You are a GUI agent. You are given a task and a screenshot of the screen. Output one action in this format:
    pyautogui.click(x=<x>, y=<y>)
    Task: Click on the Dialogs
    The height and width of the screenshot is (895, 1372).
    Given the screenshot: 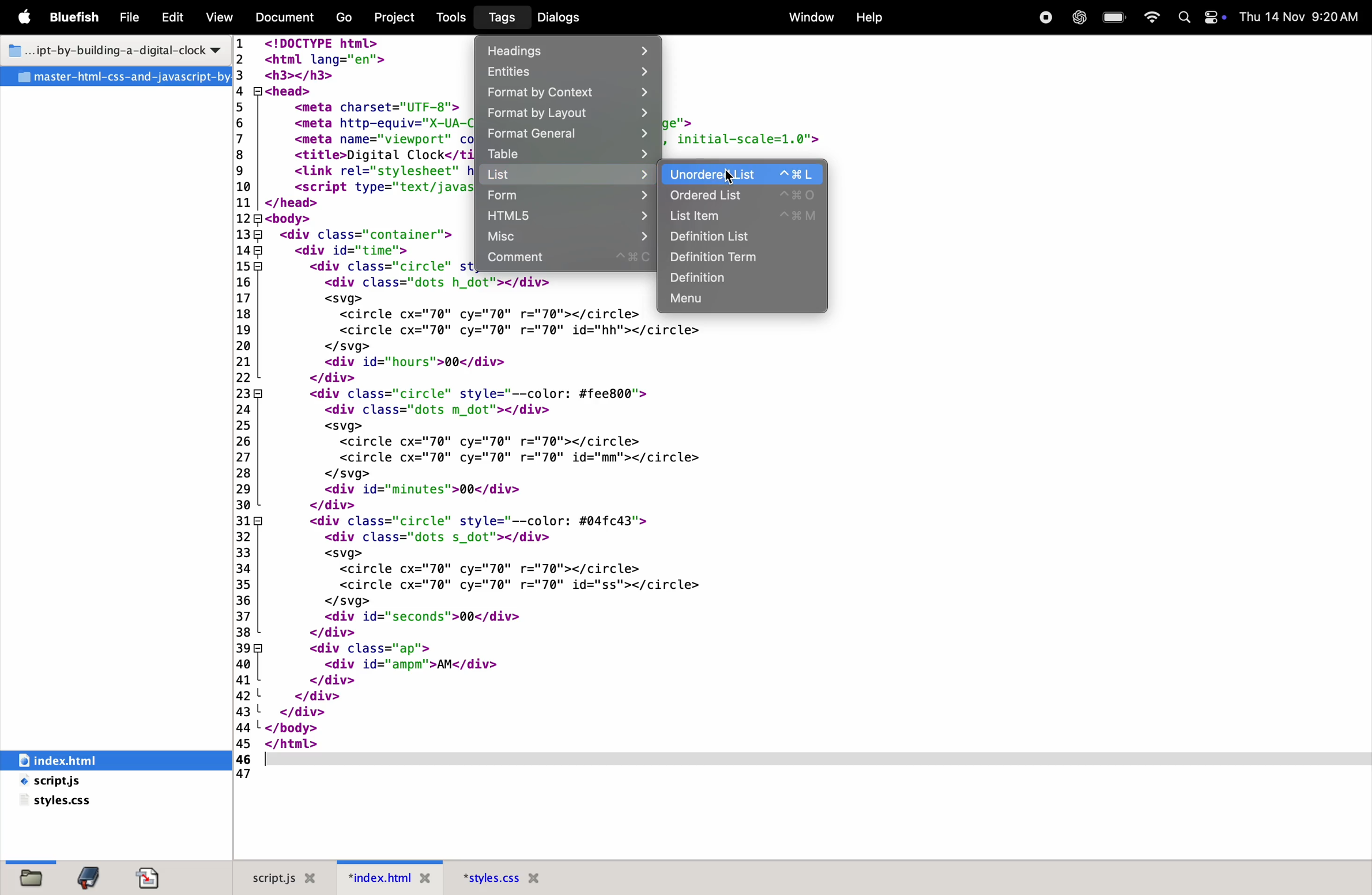 What is the action you would take?
    pyautogui.click(x=563, y=17)
    